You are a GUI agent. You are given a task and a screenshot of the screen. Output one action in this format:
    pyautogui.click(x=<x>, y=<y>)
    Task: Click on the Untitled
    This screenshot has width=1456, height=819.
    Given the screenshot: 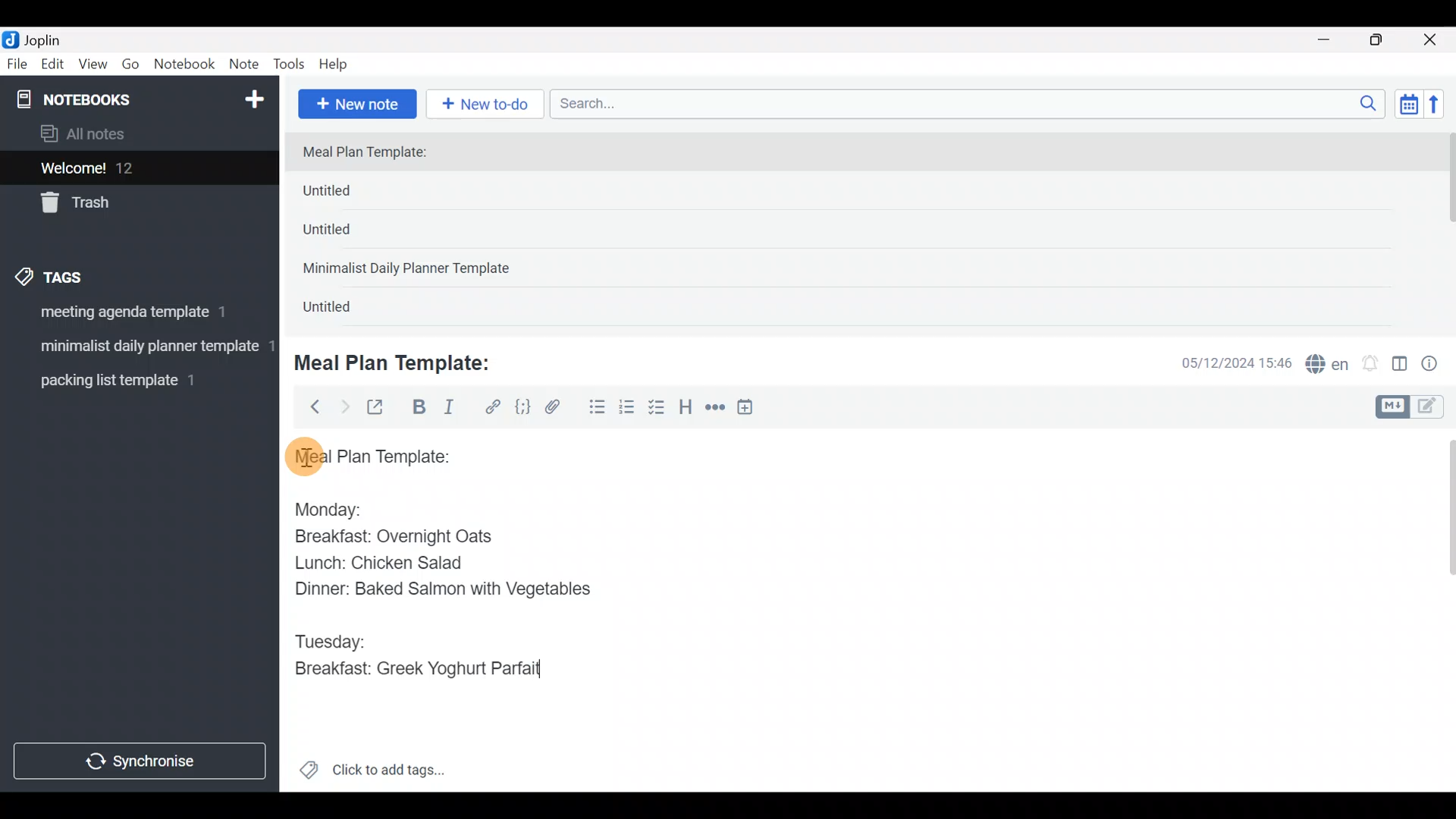 What is the action you would take?
    pyautogui.click(x=352, y=194)
    